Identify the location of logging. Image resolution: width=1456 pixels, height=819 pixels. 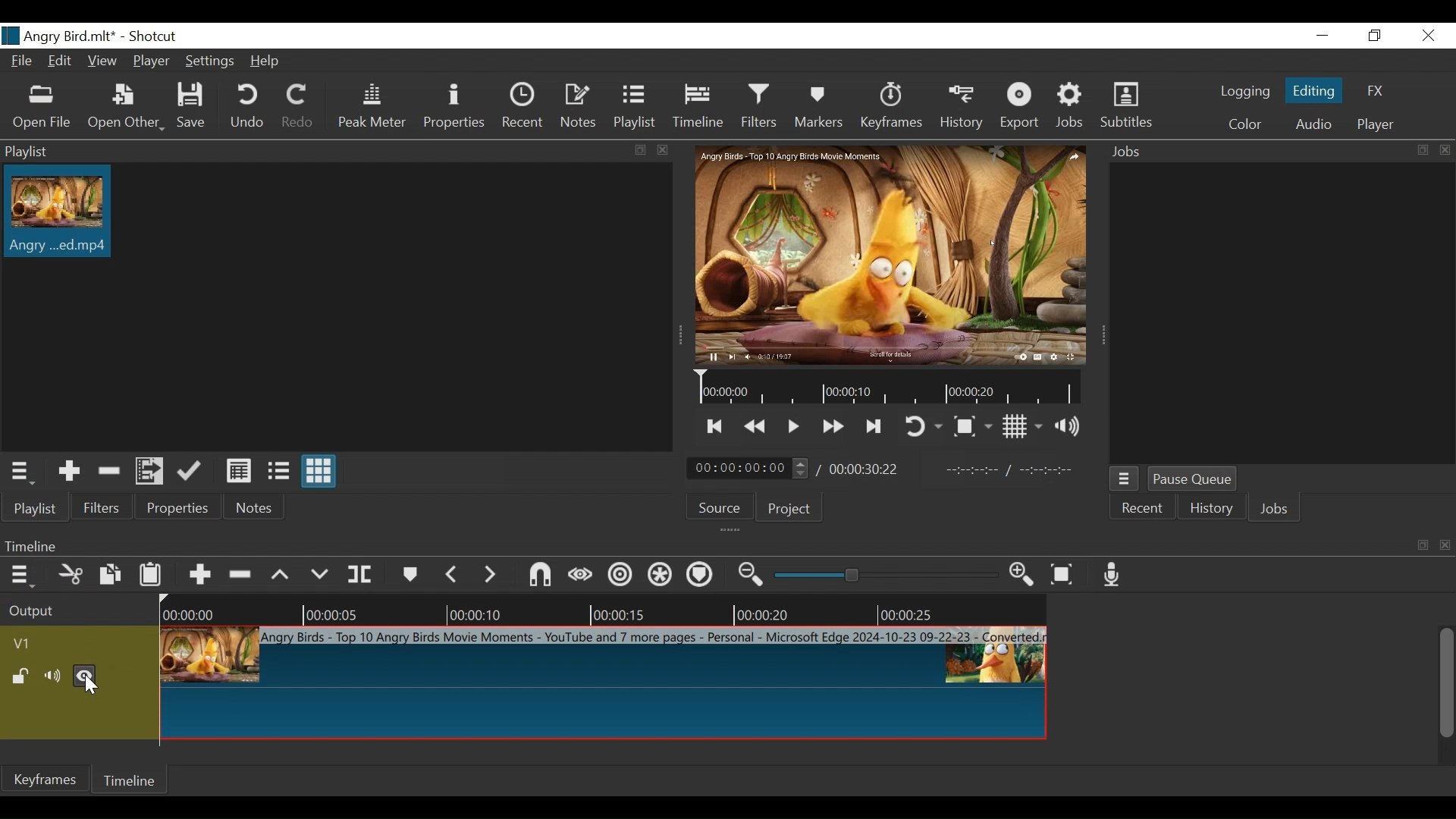
(1246, 92).